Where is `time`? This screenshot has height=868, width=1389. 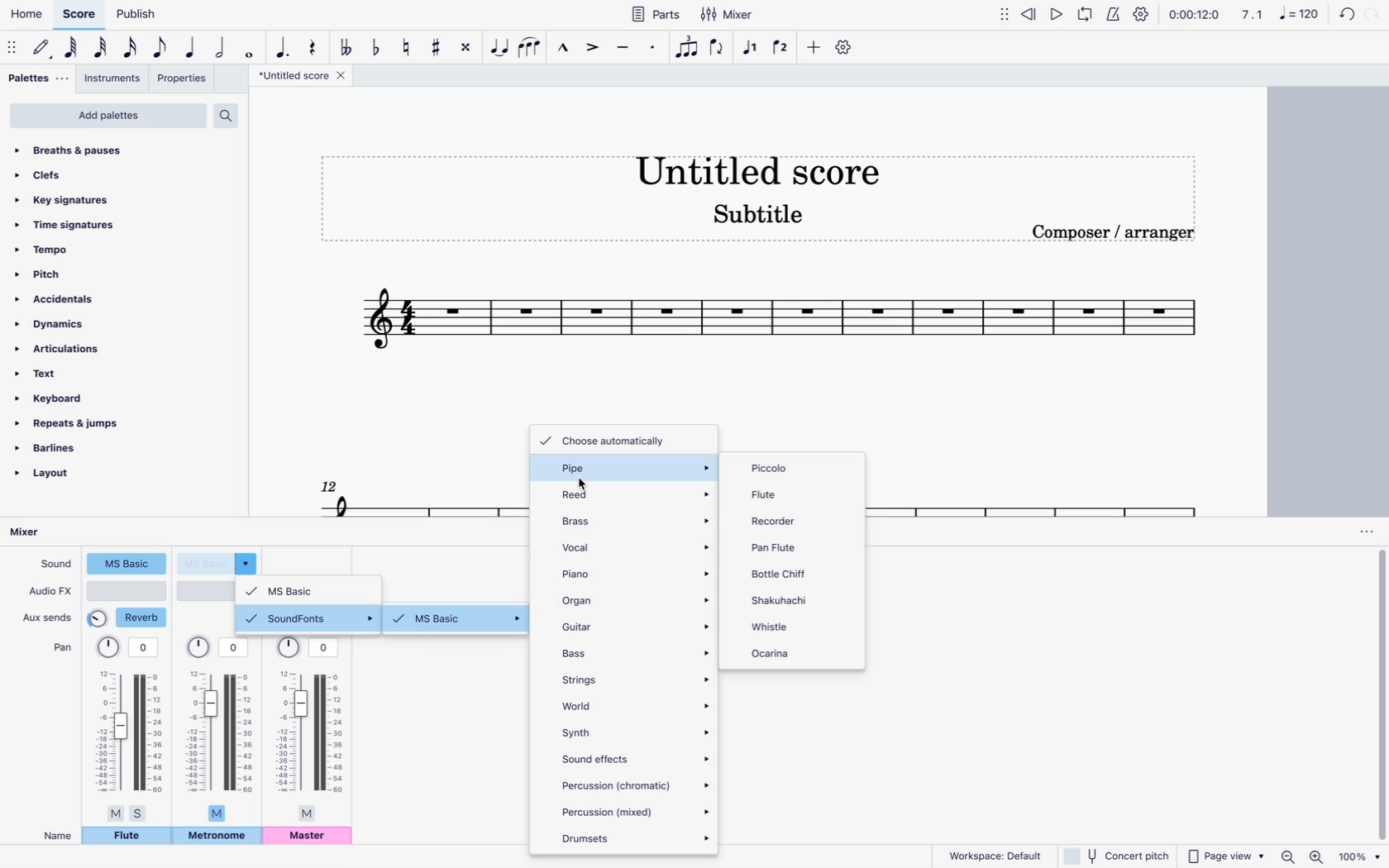 time is located at coordinates (1194, 16).